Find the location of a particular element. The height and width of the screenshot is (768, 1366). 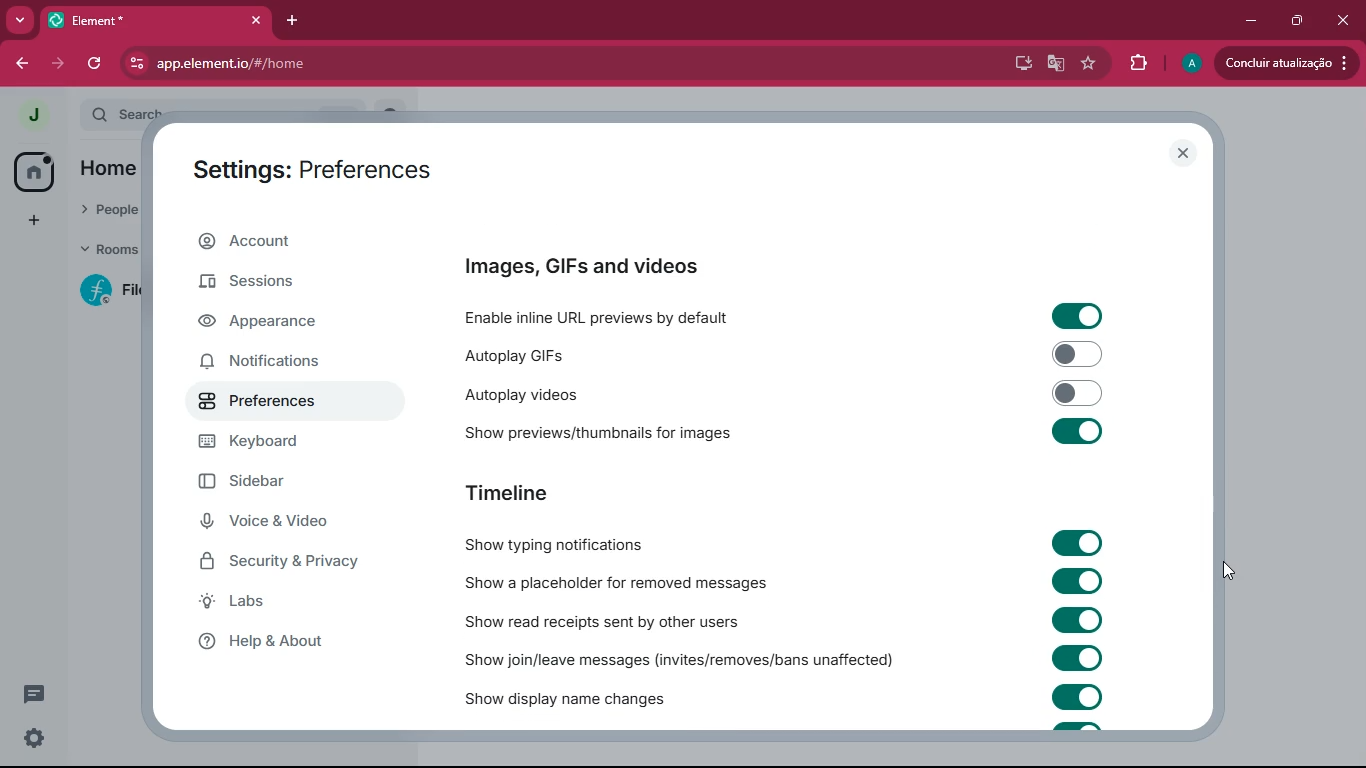

extensions is located at coordinates (1140, 63).